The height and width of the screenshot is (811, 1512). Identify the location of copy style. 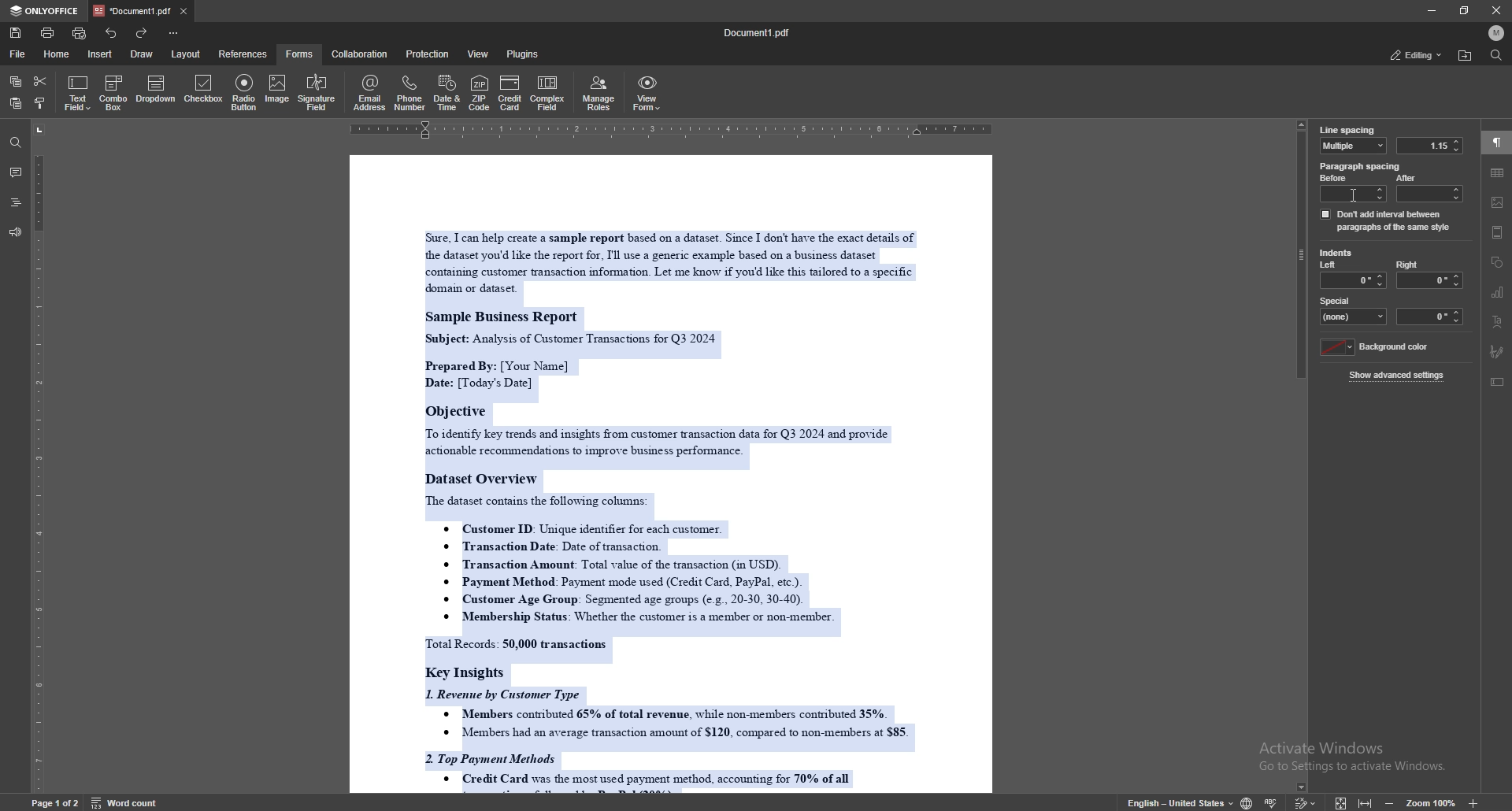
(42, 105).